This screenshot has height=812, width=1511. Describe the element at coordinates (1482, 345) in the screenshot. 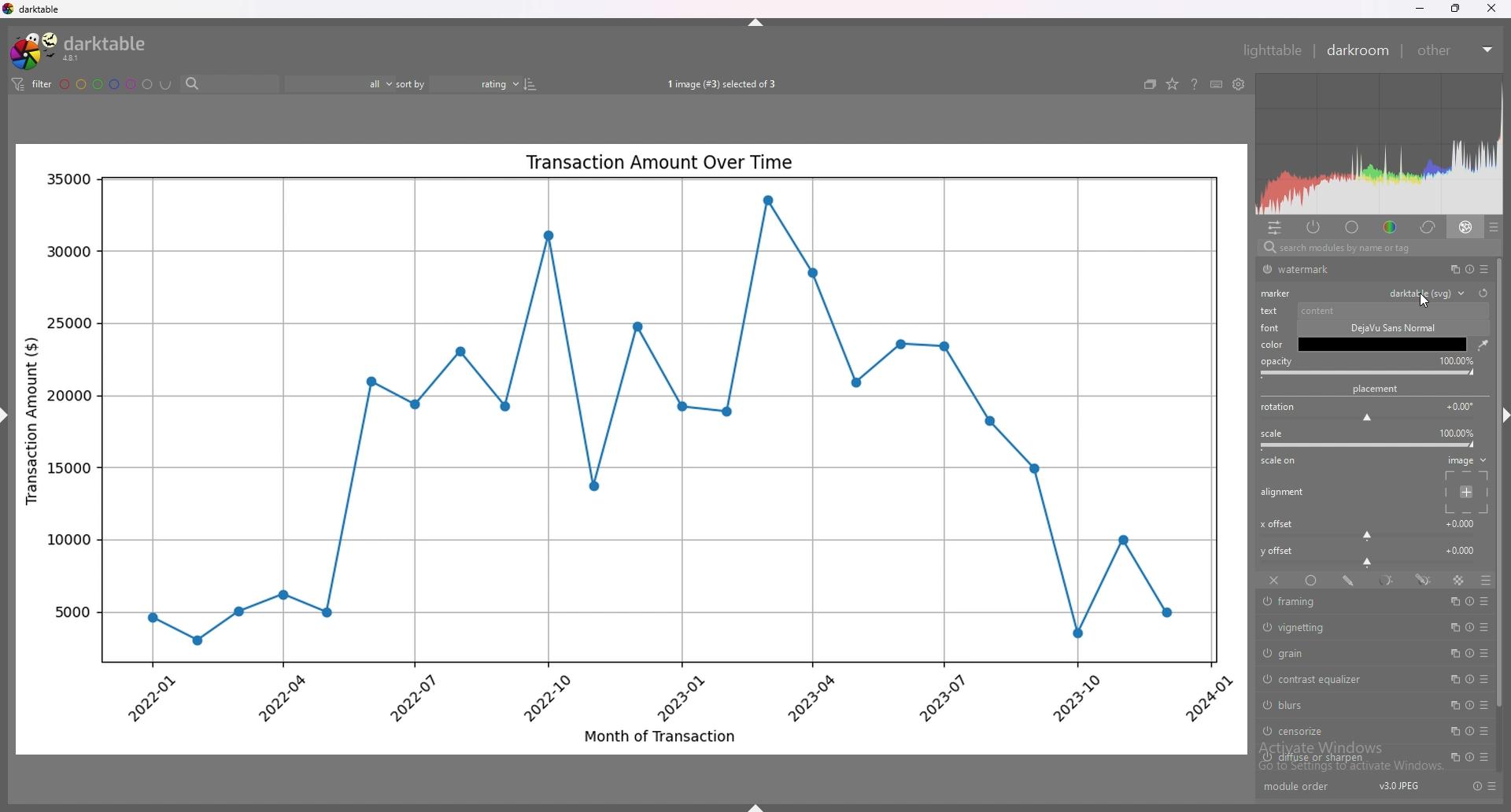

I see `waterdrop` at that location.